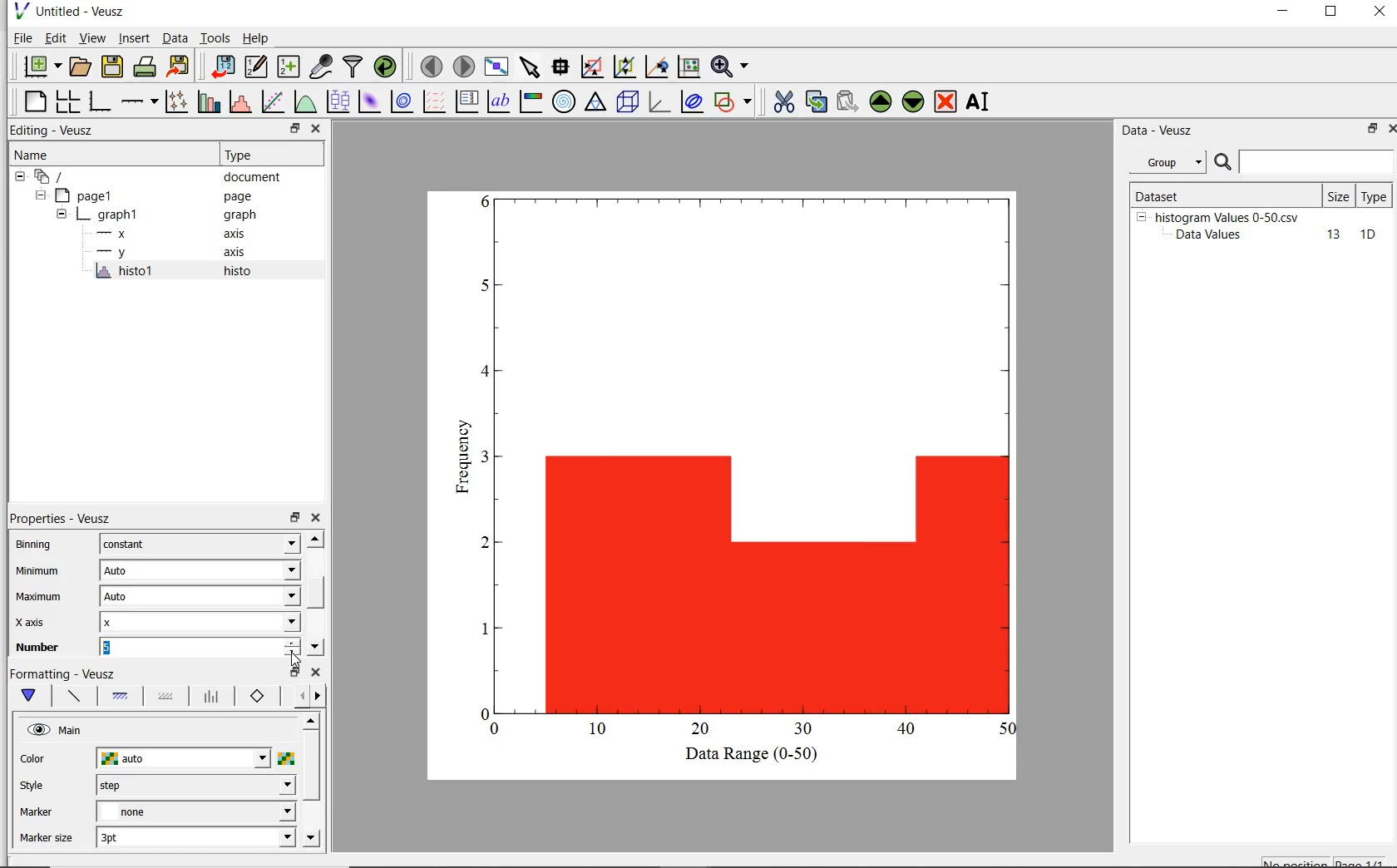  I want to click on edit and create new datasets, so click(256, 66).